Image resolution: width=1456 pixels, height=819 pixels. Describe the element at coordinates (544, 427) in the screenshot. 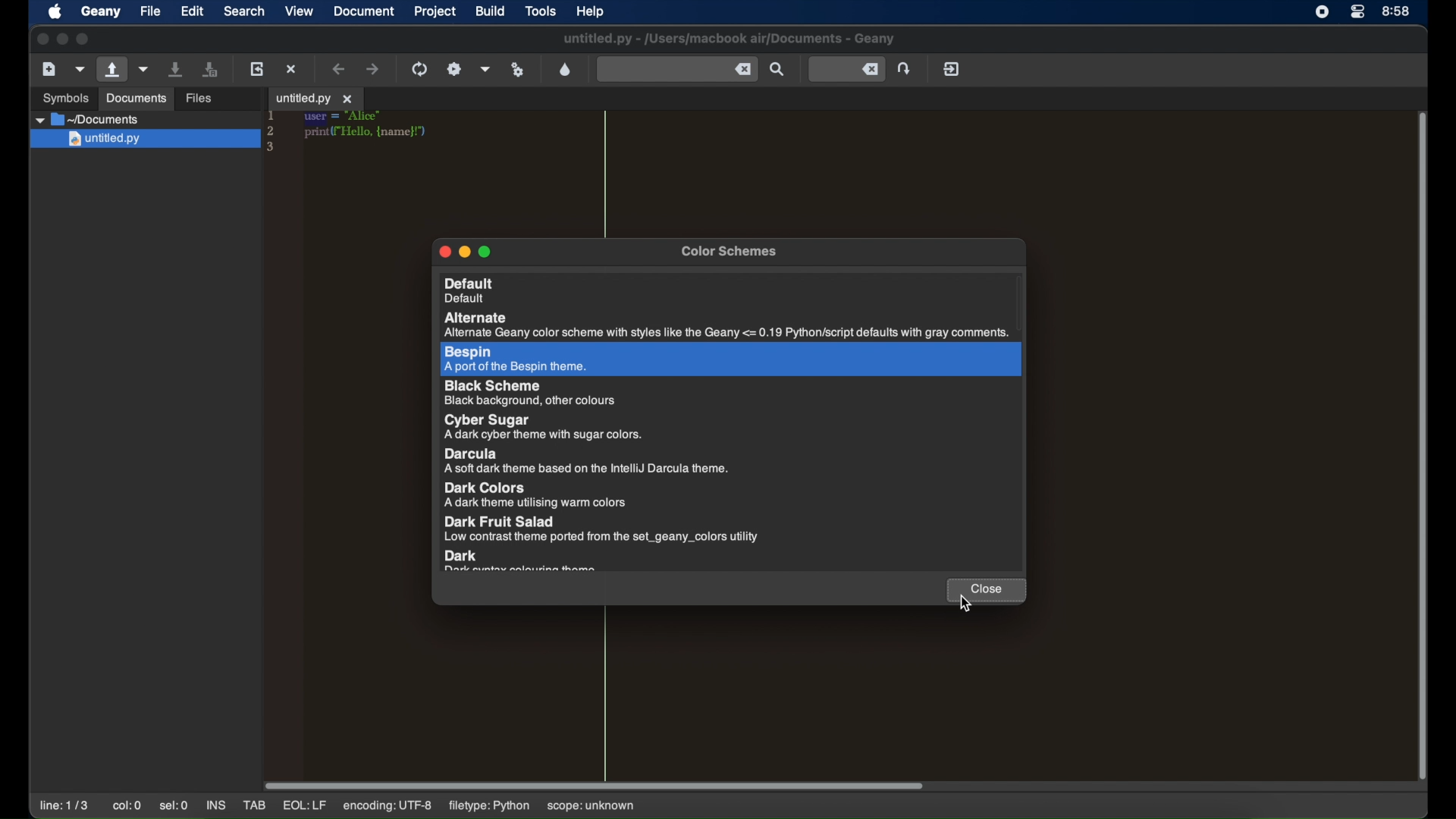

I see `cyber sugar` at that location.